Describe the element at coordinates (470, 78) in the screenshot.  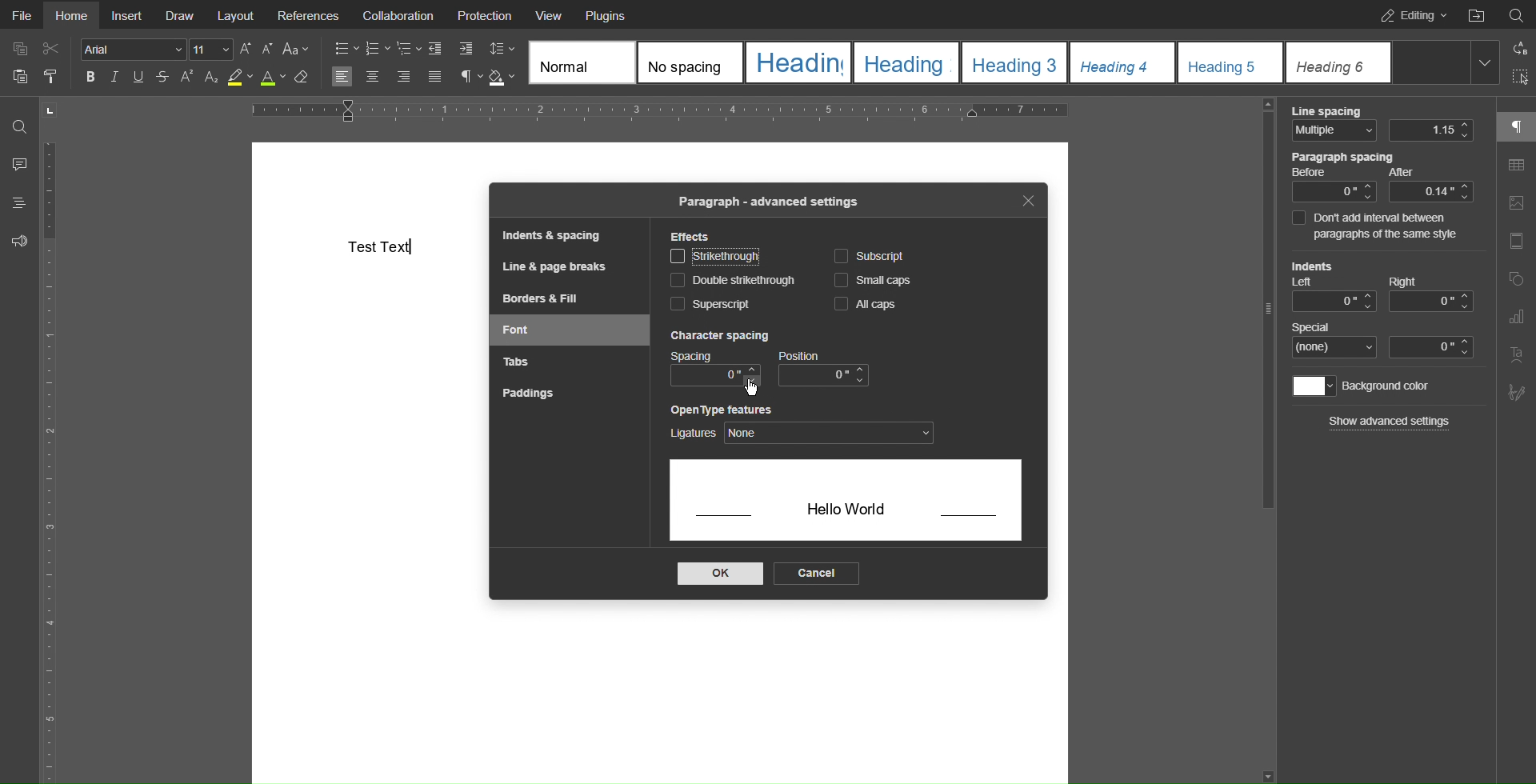
I see `Paragraph Settings` at that location.